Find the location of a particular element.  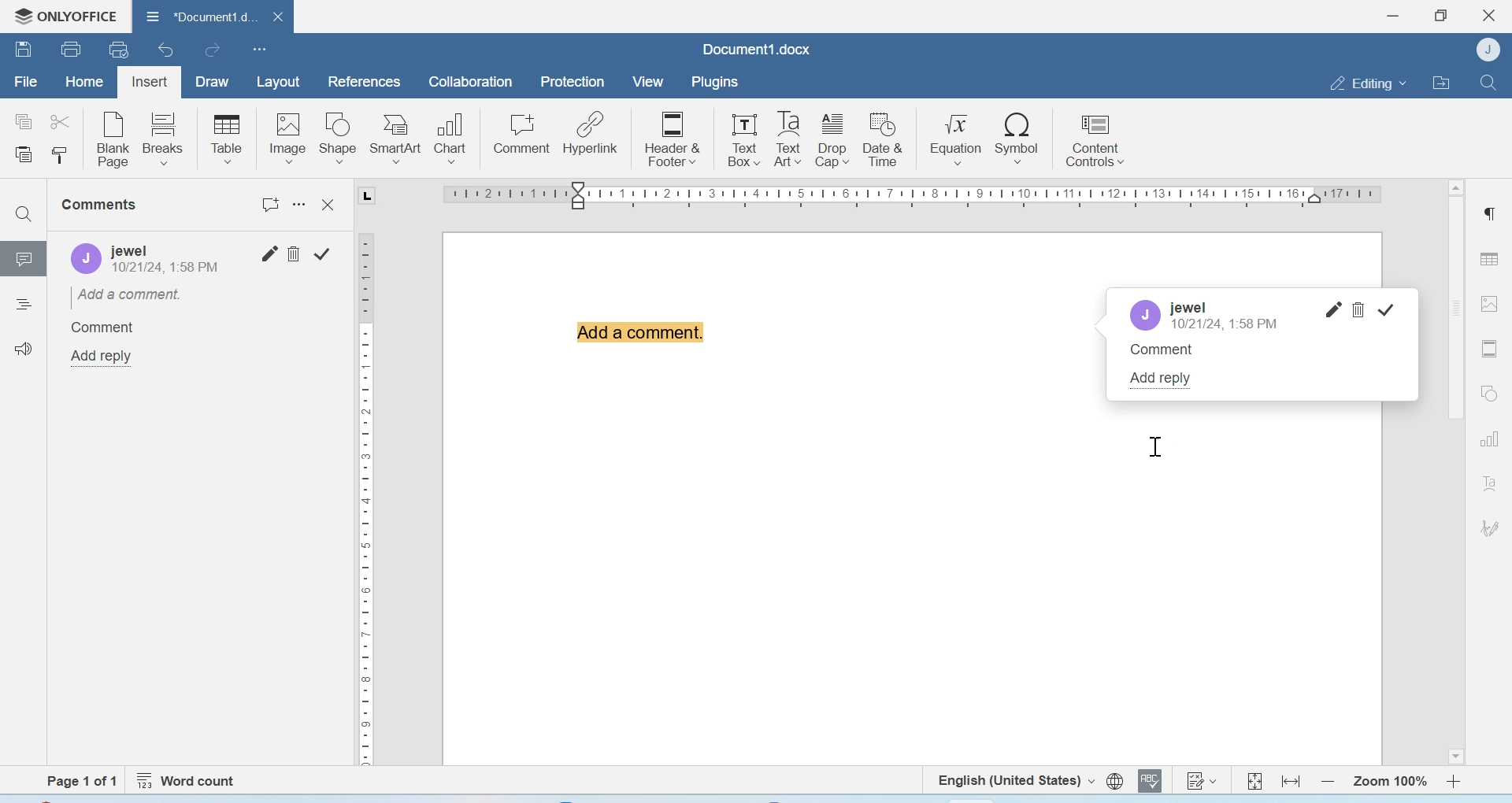

Delete is located at coordinates (296, 253).